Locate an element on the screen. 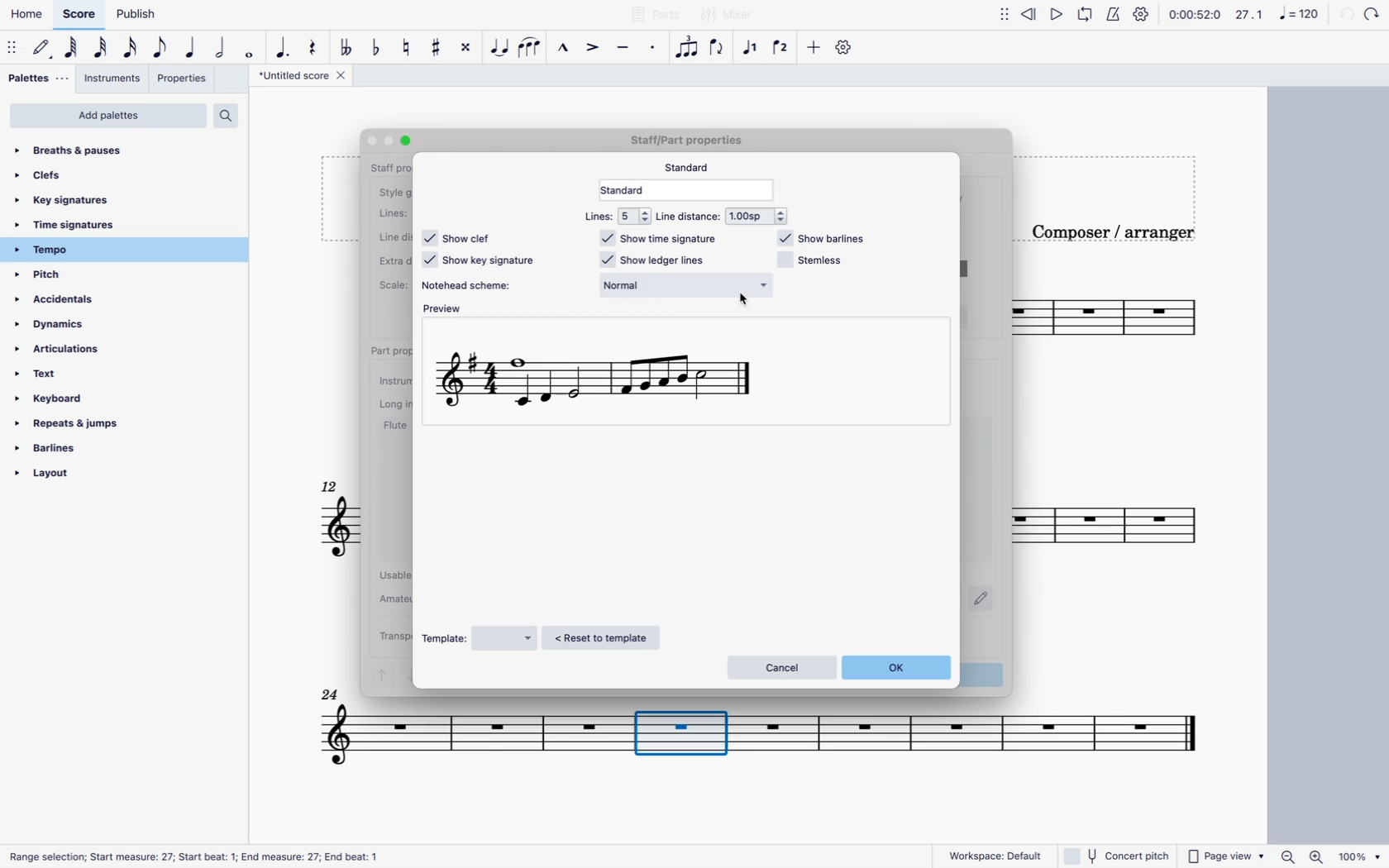 Image resolution: width=1389 pixels, height=868 pixels. show time signature is located at coordinates (664, 238).